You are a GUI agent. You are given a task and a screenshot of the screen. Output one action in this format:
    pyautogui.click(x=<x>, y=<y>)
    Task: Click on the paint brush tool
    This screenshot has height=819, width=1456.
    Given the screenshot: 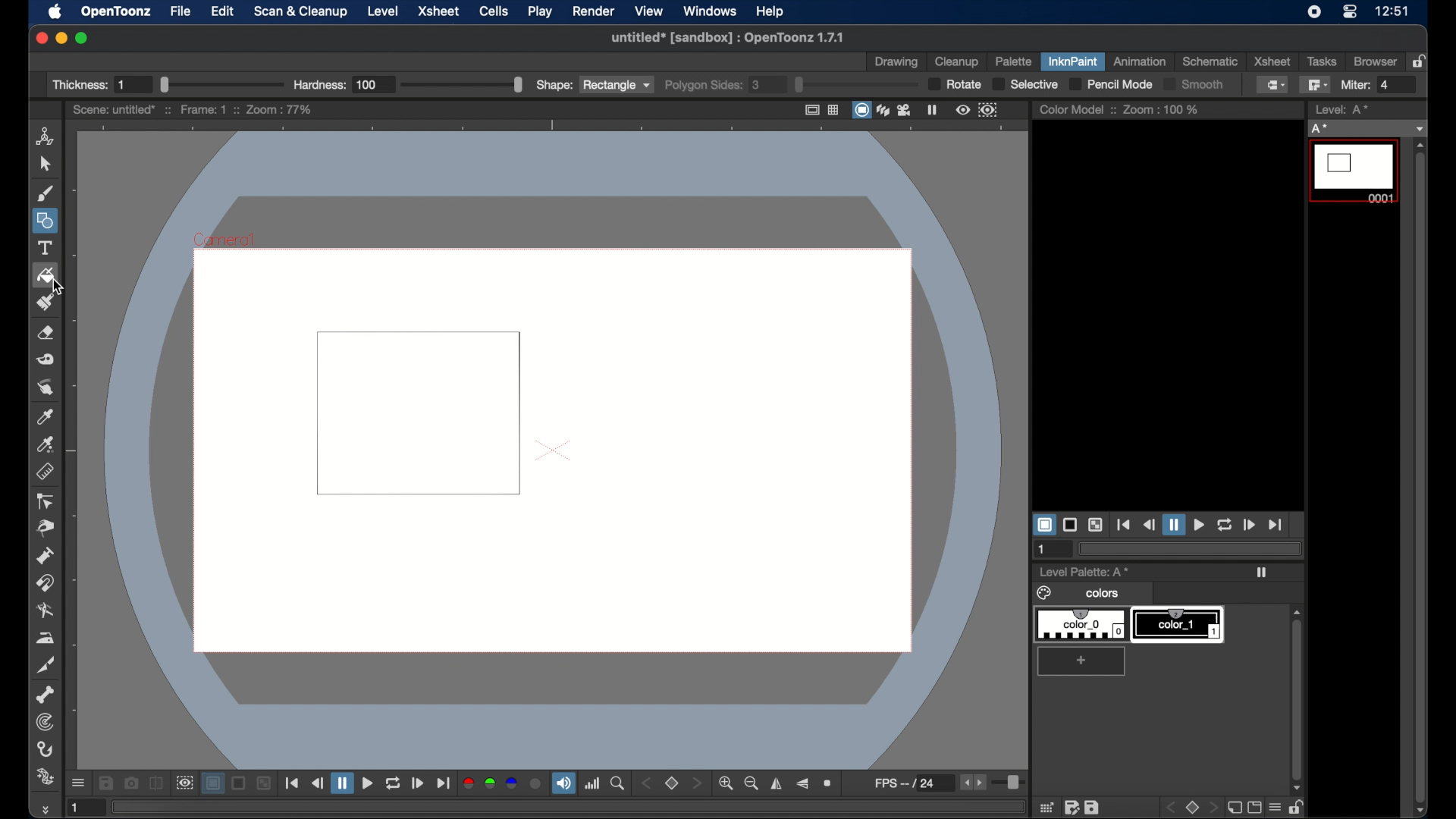 What is the action you would take?
    pyautogui.click(x=46, y=302)
    